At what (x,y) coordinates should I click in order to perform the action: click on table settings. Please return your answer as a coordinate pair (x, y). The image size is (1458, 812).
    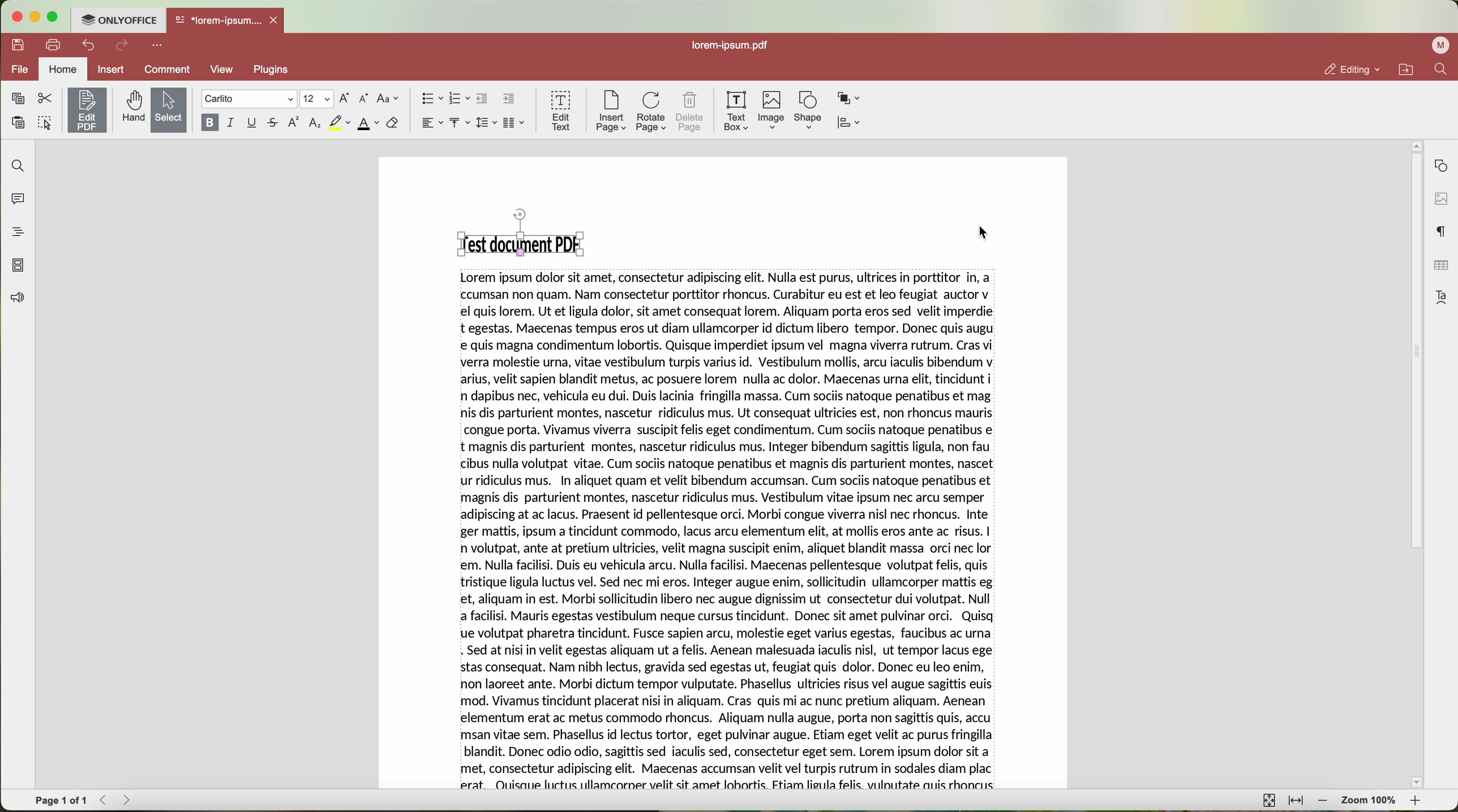
    Looking at the image, I should click on (1440, 265).